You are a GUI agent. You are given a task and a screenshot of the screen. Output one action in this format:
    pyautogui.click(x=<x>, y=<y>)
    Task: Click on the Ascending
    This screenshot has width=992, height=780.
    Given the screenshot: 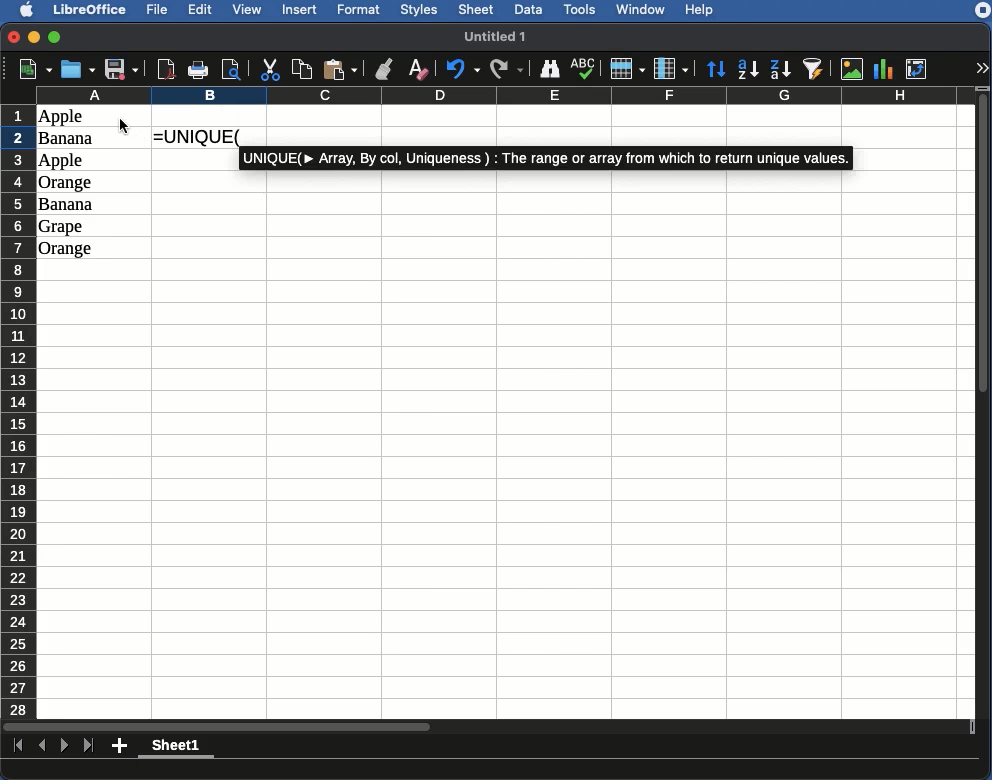 What is the action you would take?
    pyautogui.click(x=750, y=69)
    